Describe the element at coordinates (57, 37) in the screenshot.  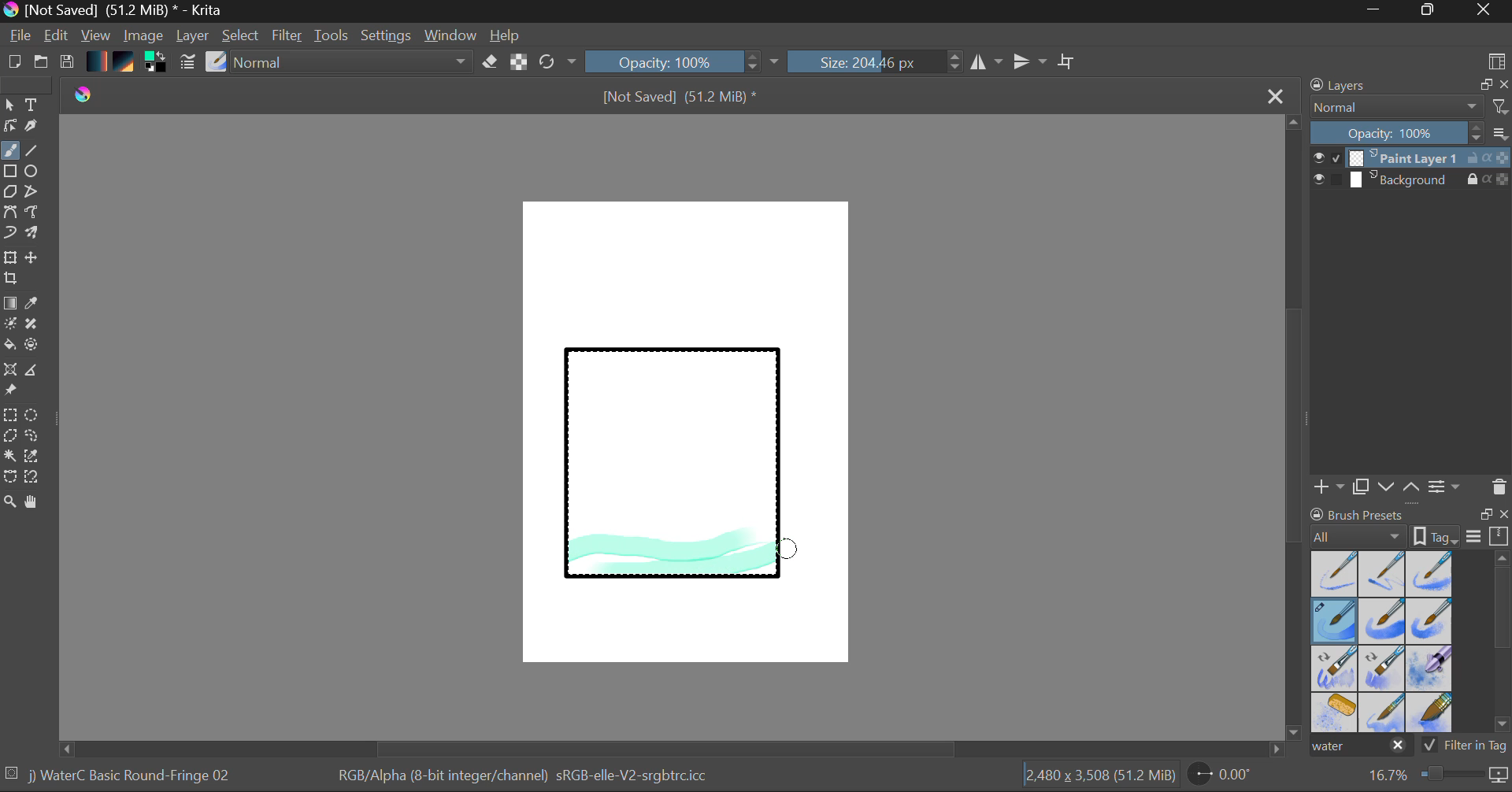
I see `Edit` at that location.